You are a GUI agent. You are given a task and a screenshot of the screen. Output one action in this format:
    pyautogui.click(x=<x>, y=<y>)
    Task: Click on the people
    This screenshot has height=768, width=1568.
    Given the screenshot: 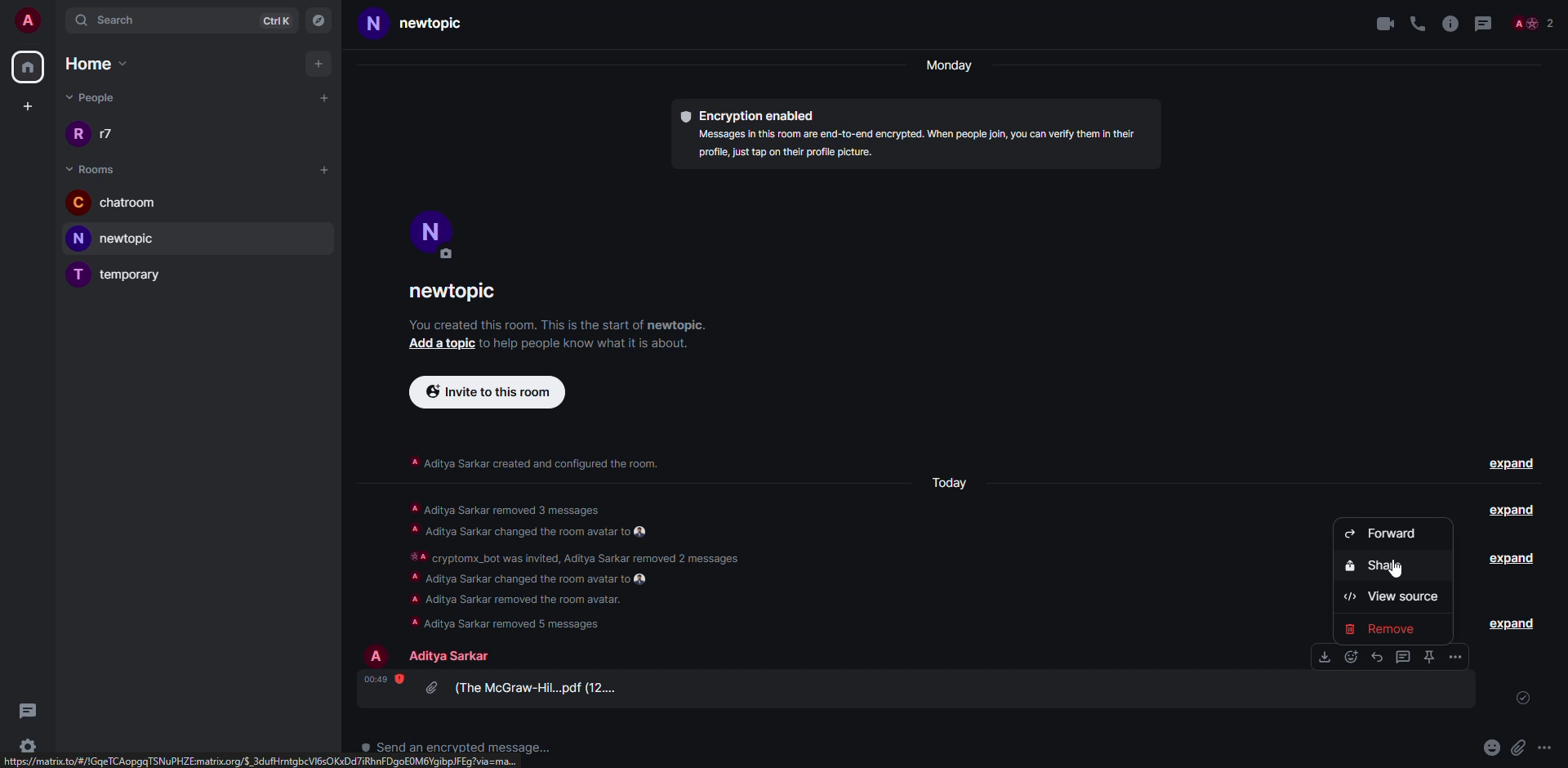 What is the action you would take?
    pyautogui.click(x=453, y=655)
    